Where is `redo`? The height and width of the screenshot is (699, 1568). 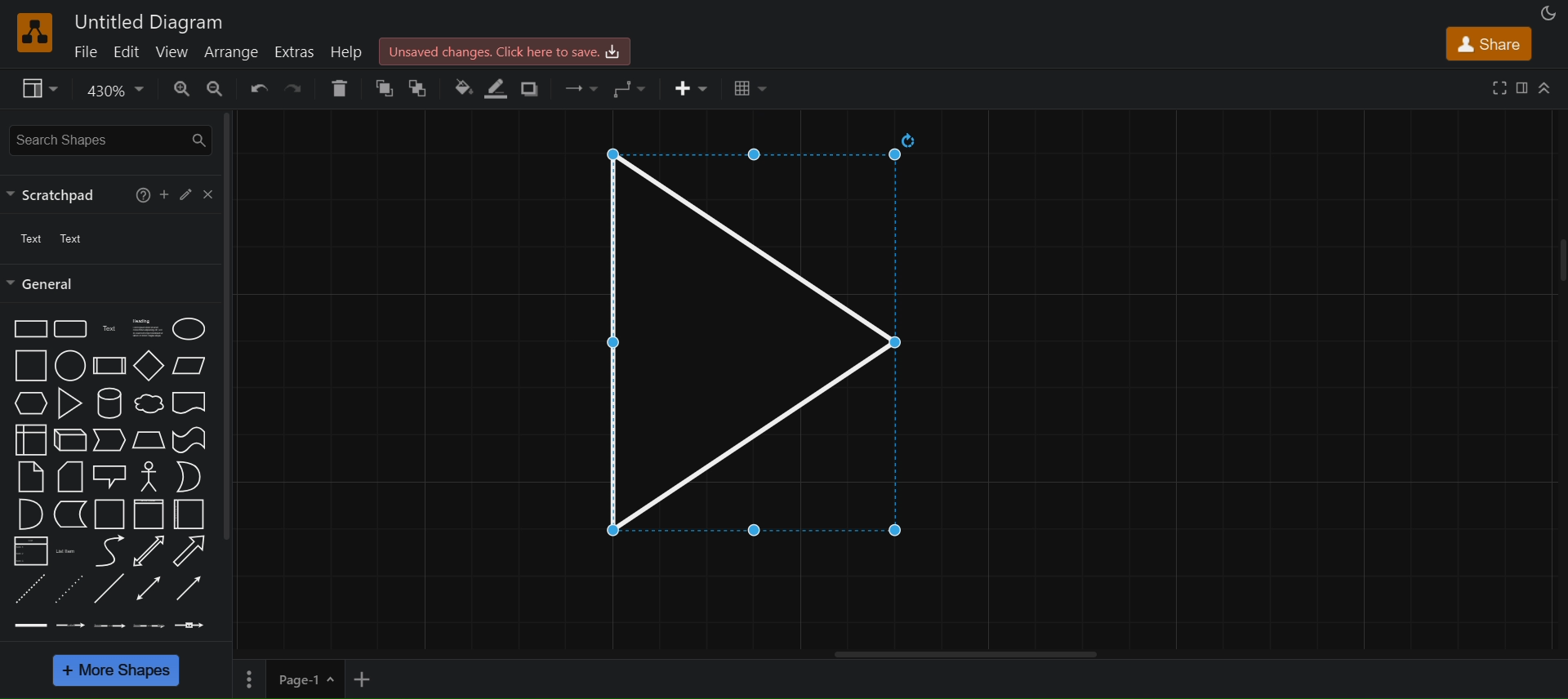 redo is located at coordinates (294, 88).